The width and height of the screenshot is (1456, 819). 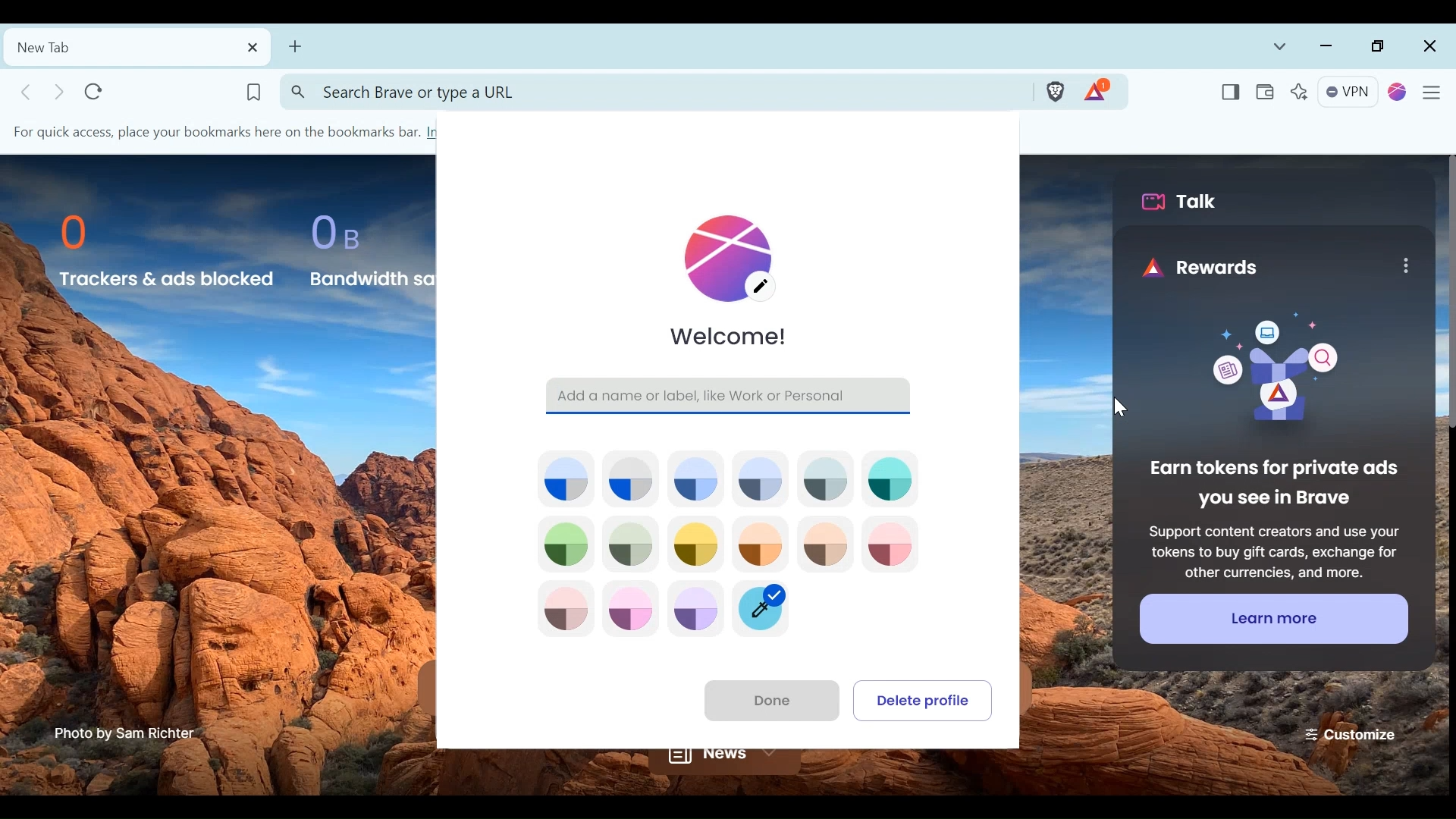 I want to click on Theme, so click(x=565, y=478).